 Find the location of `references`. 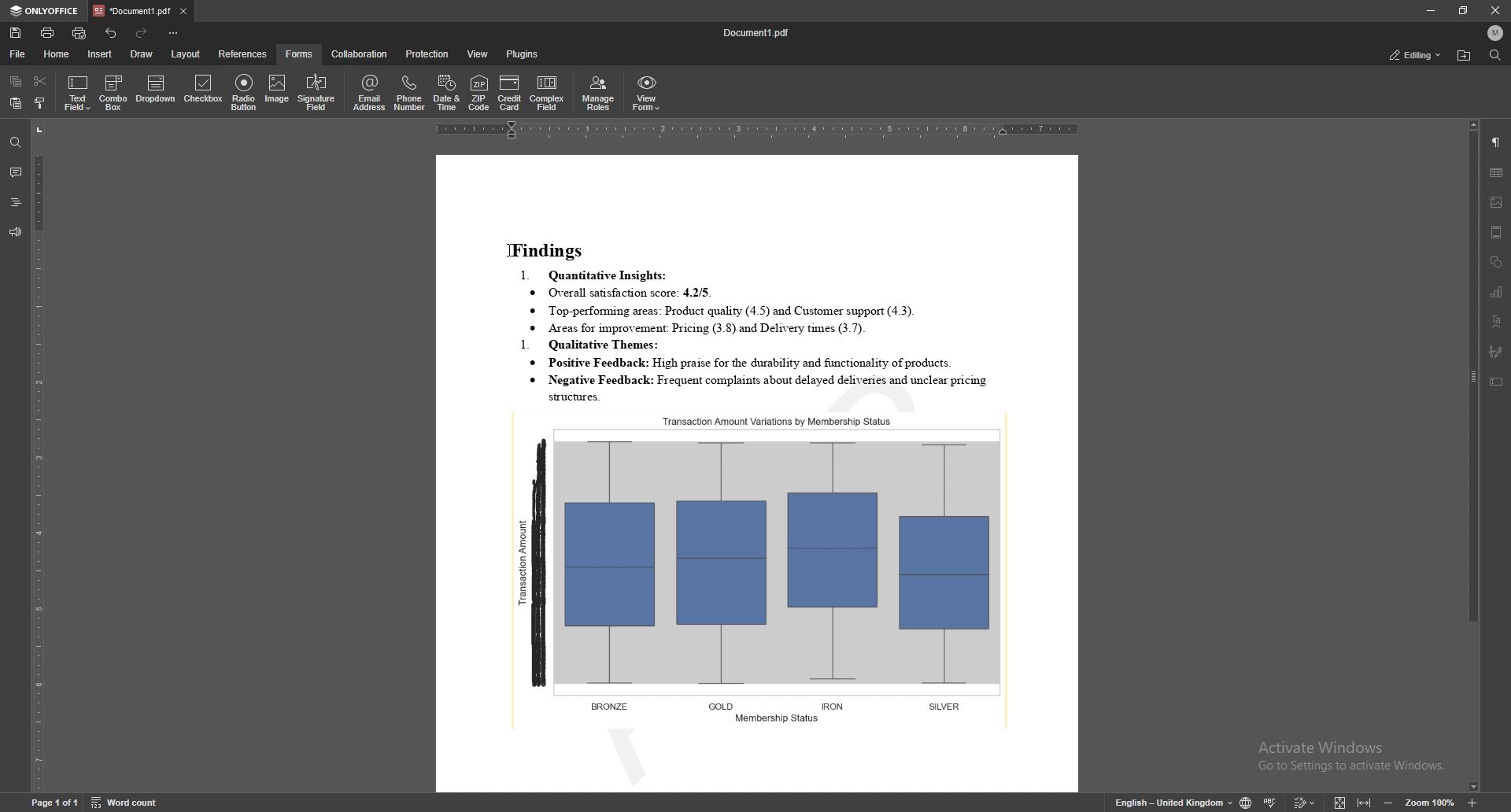

references is located at coordinates (242, 54).